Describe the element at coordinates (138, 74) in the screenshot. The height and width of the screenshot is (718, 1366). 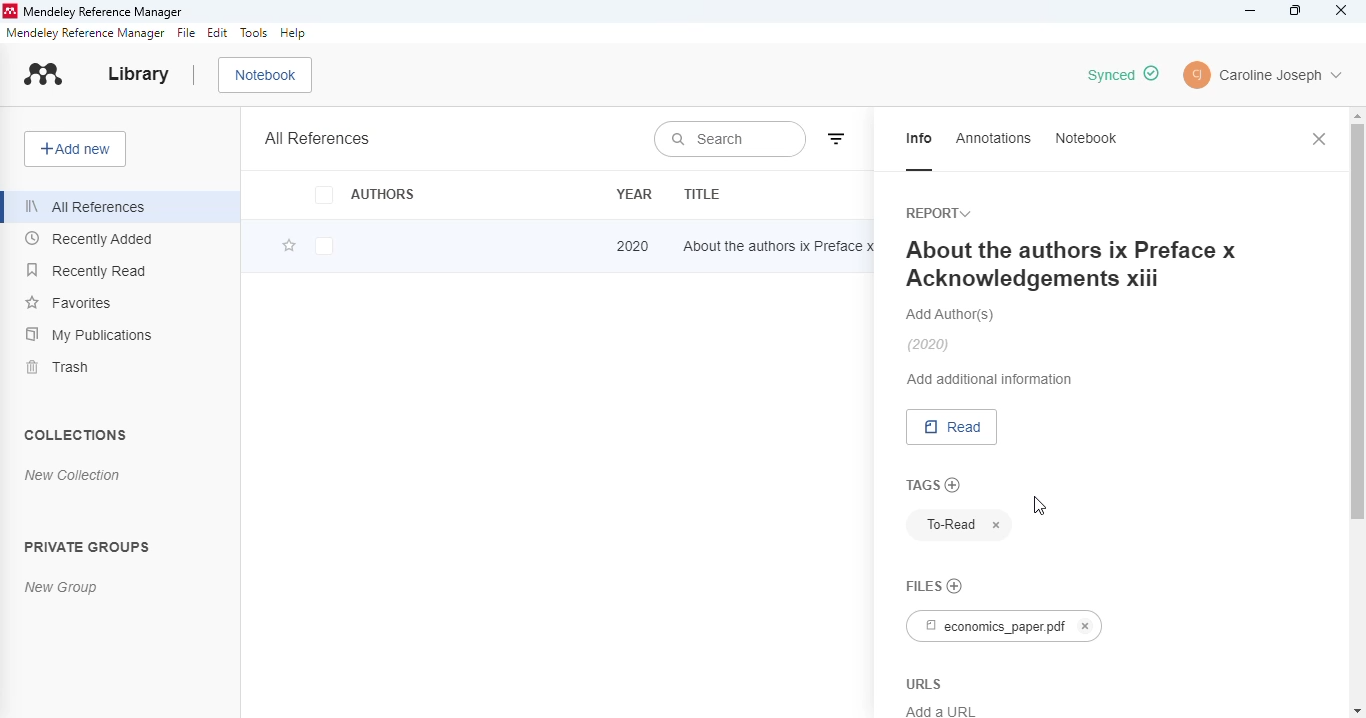
I see `library` at that location.